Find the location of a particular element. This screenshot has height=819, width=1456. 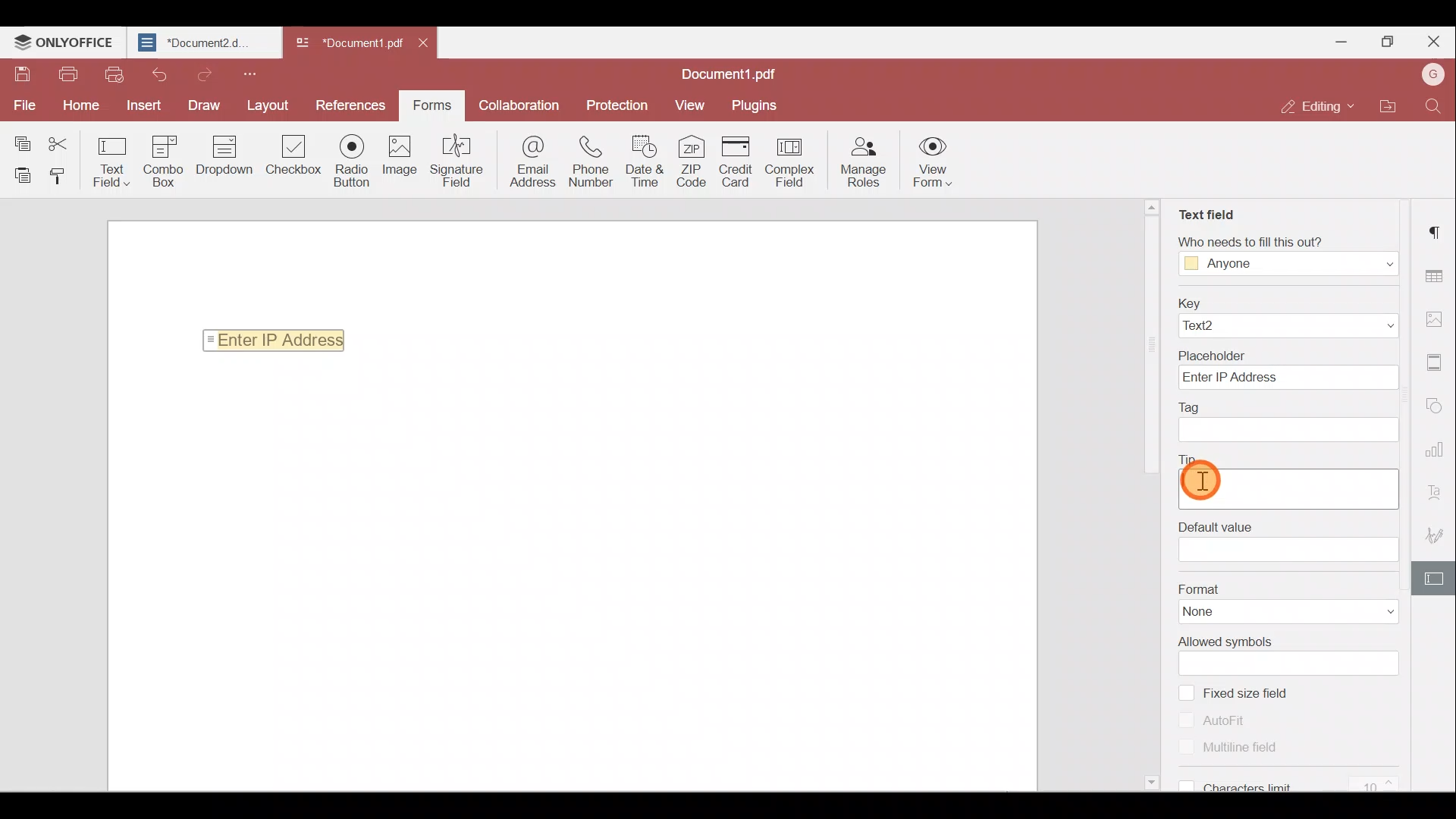

View form is located at coordinates (936, 165).